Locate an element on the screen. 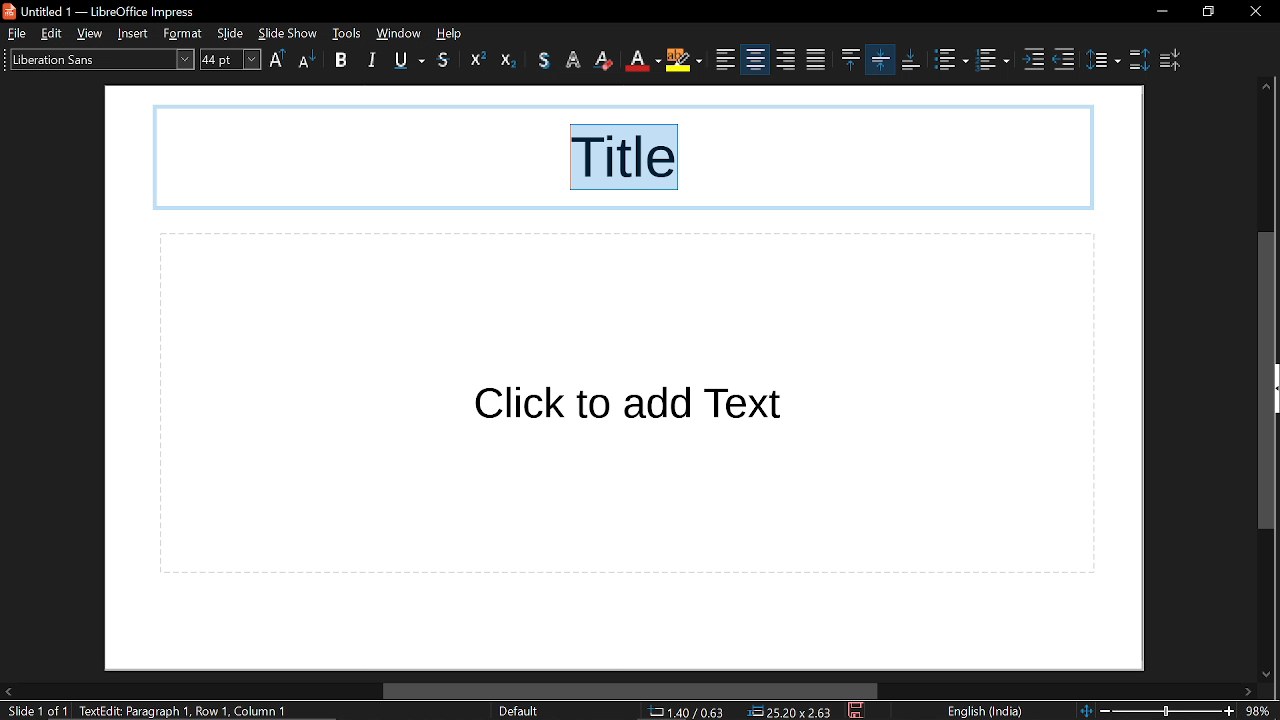  move right is located at coordinates (1247, 692).